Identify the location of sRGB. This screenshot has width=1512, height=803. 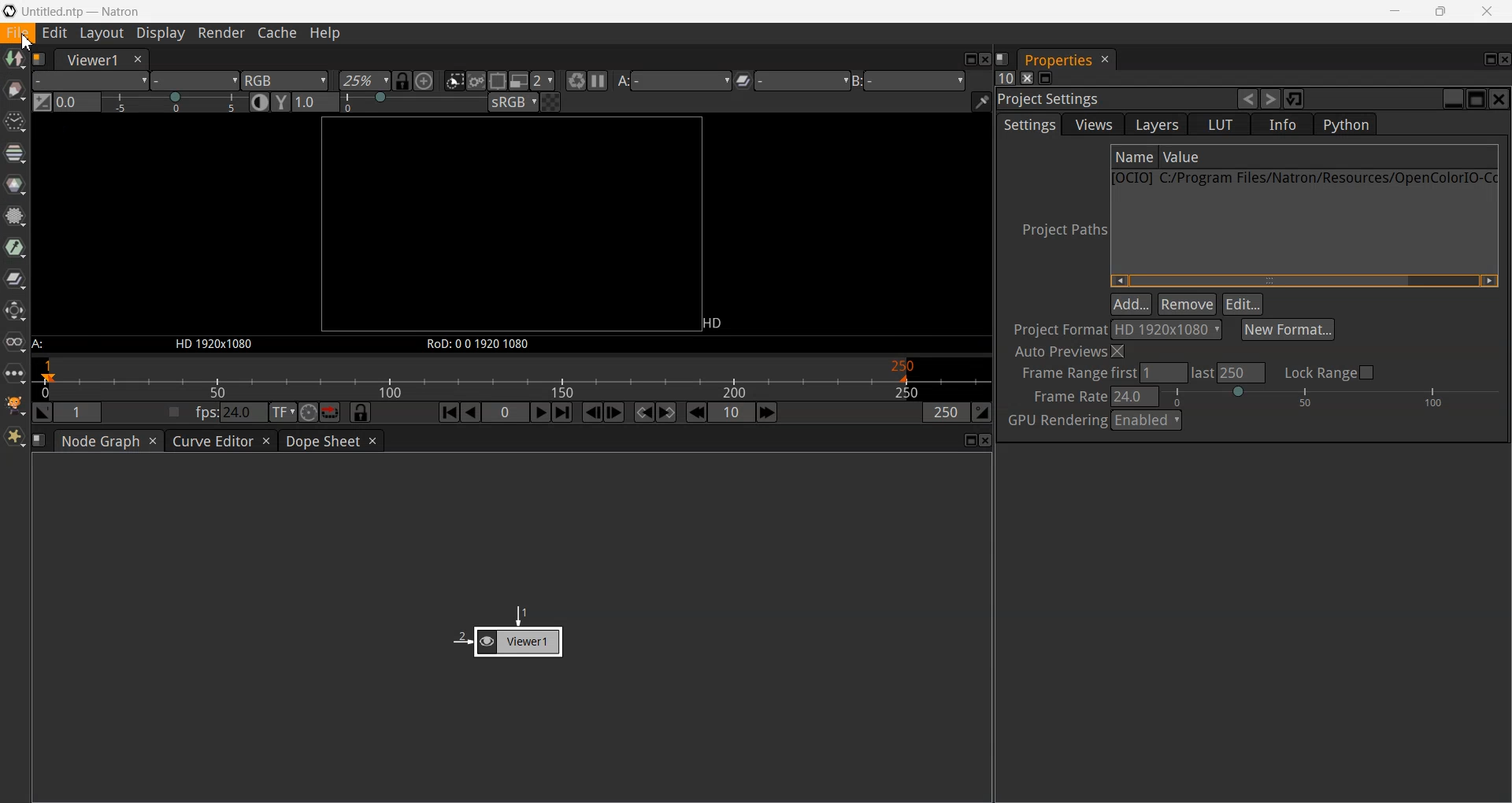
(513, 102).